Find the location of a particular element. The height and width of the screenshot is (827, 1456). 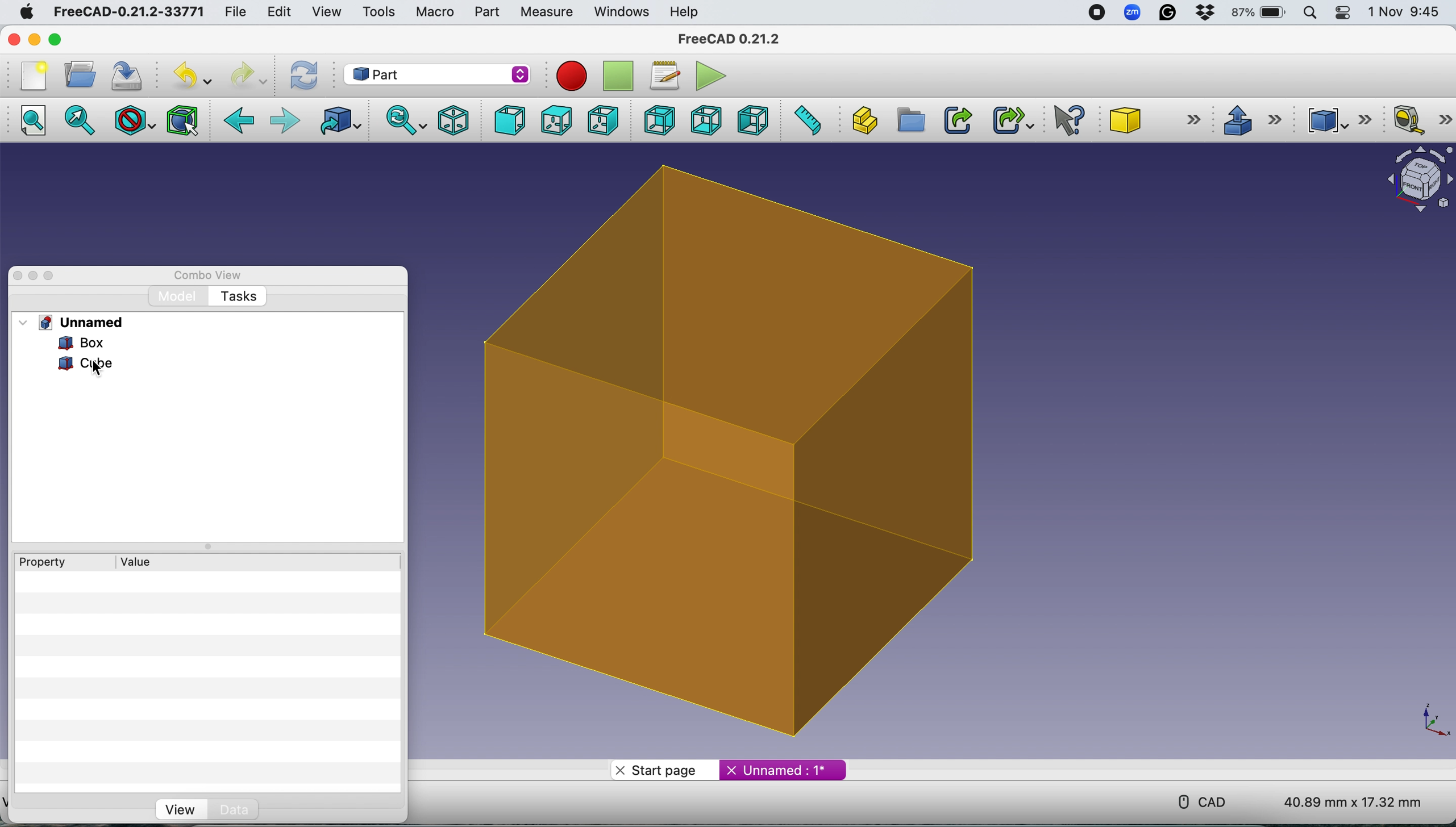

Edit is located at coordinates (277, 12).